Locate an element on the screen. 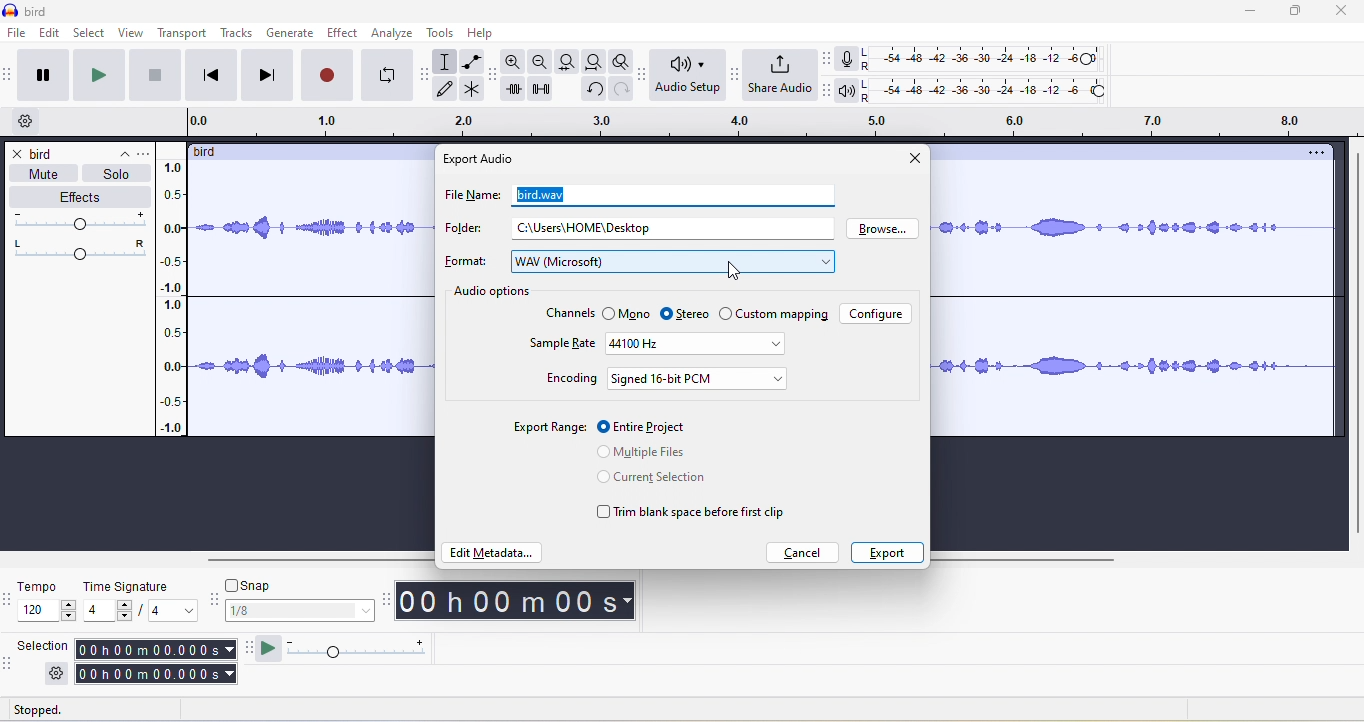  export audio is located at coordinates (482, 159).